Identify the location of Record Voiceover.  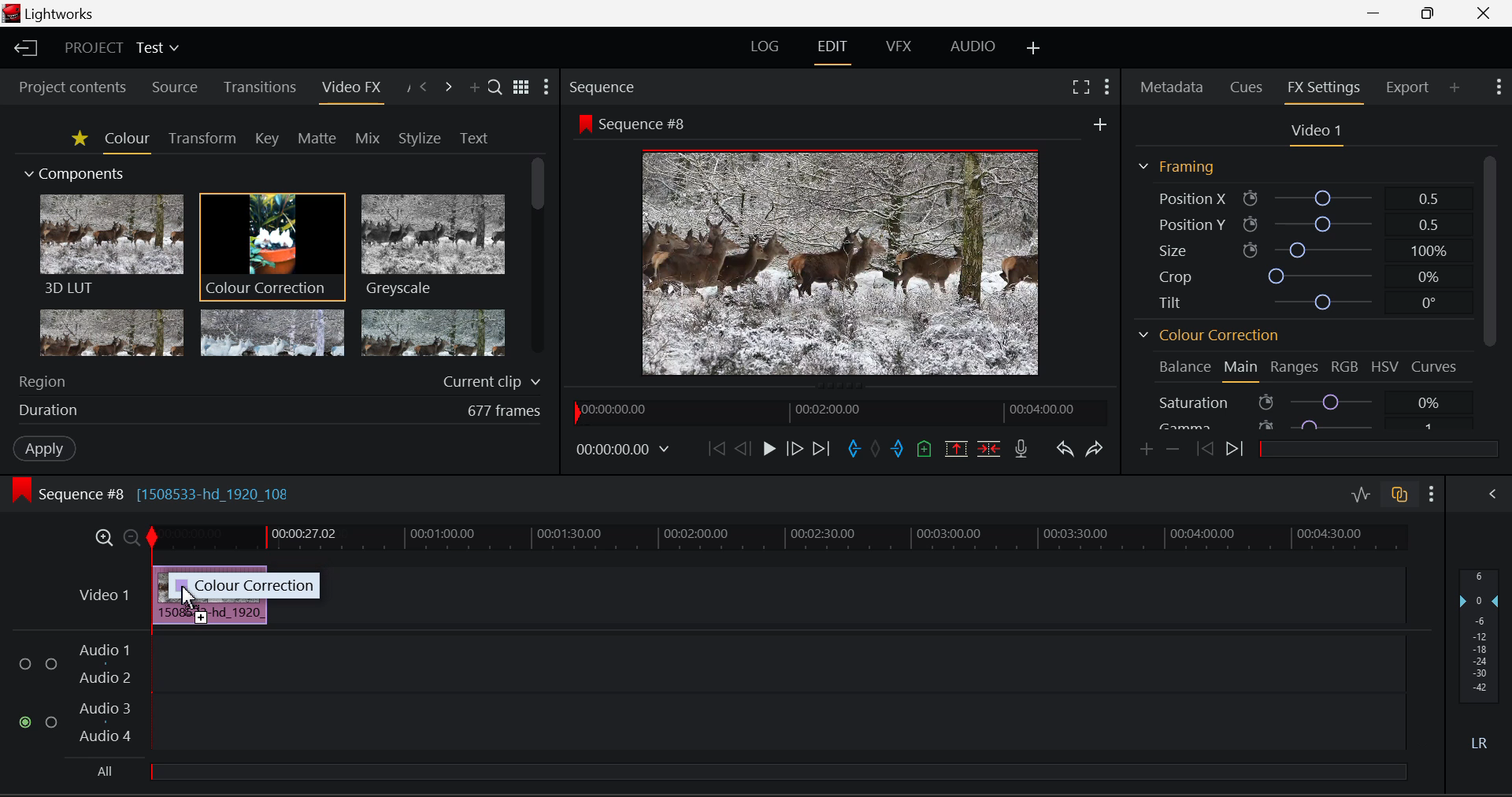
(1022, 449).